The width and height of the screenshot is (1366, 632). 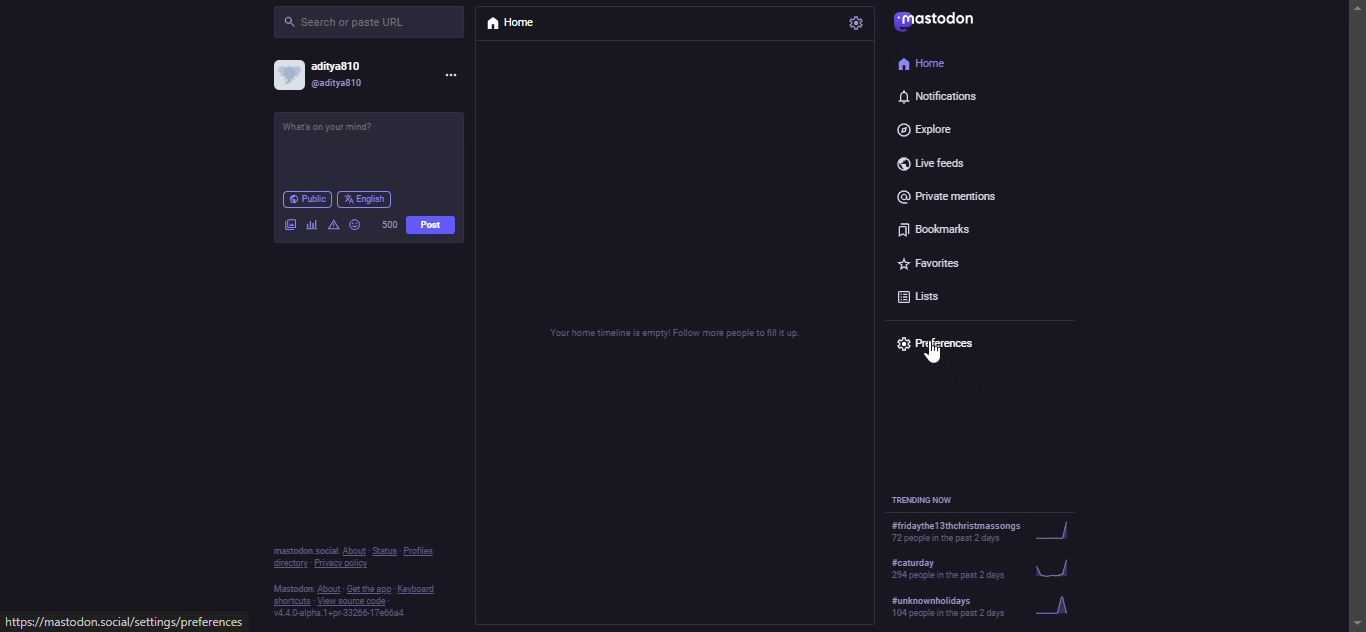 What do you see at coordinates (360, 585) in the screenshot?
I see `info` at bounding box center [360, 585].